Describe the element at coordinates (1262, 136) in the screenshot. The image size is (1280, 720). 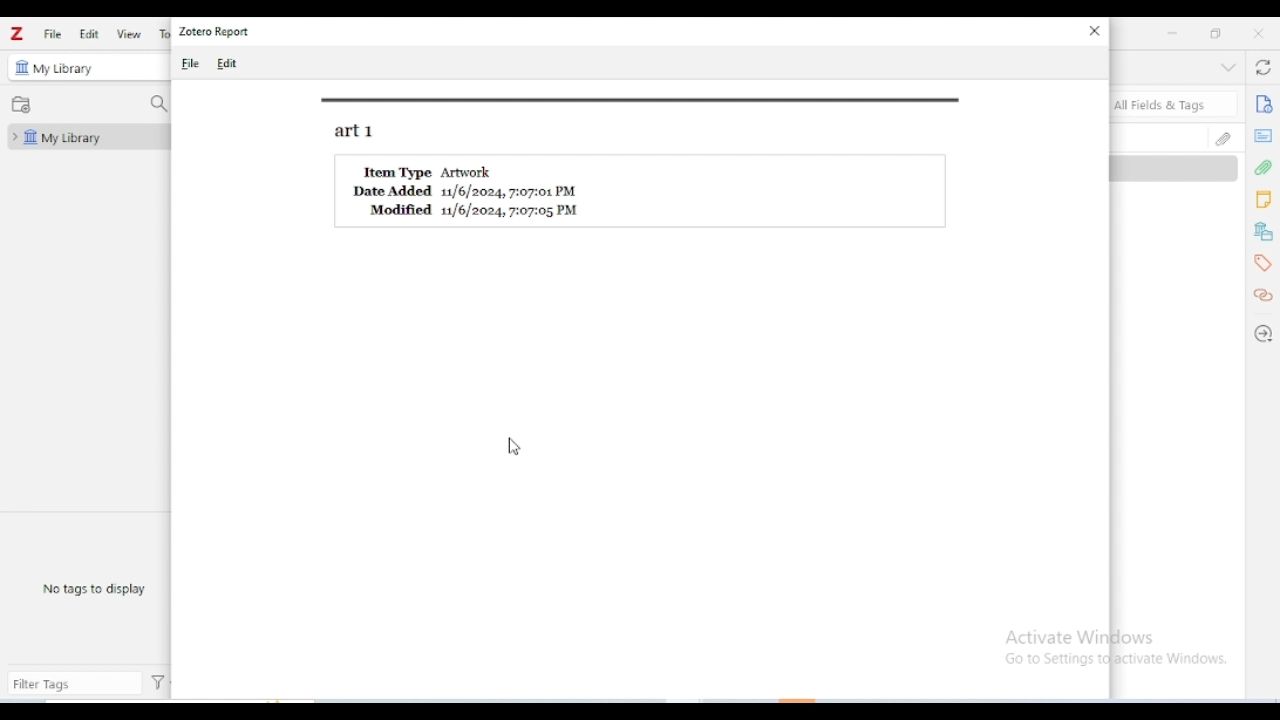
I see `abstract` at that location.